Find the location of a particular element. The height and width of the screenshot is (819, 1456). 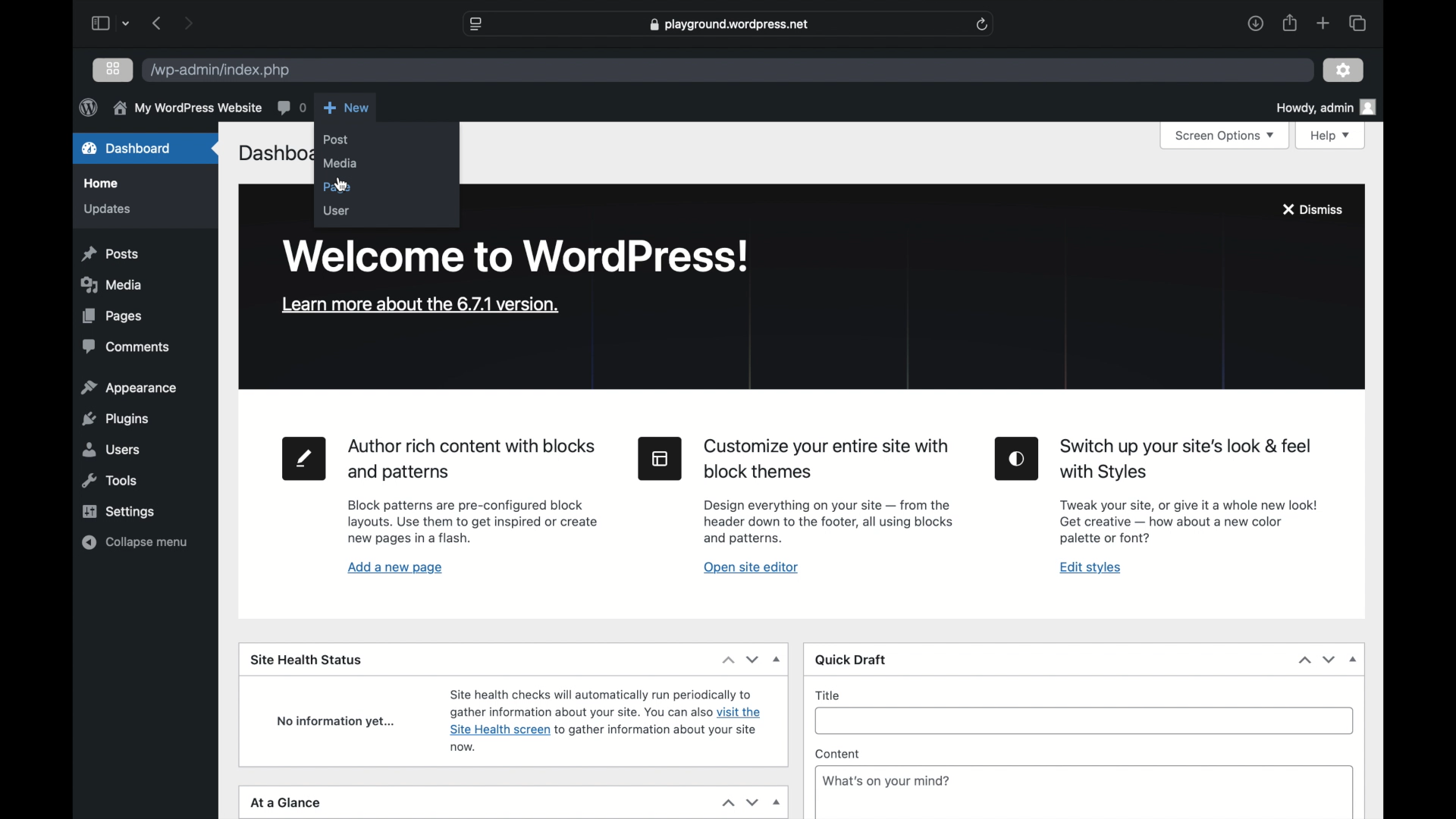

howdy admin is located at coordinates (1326, 107).